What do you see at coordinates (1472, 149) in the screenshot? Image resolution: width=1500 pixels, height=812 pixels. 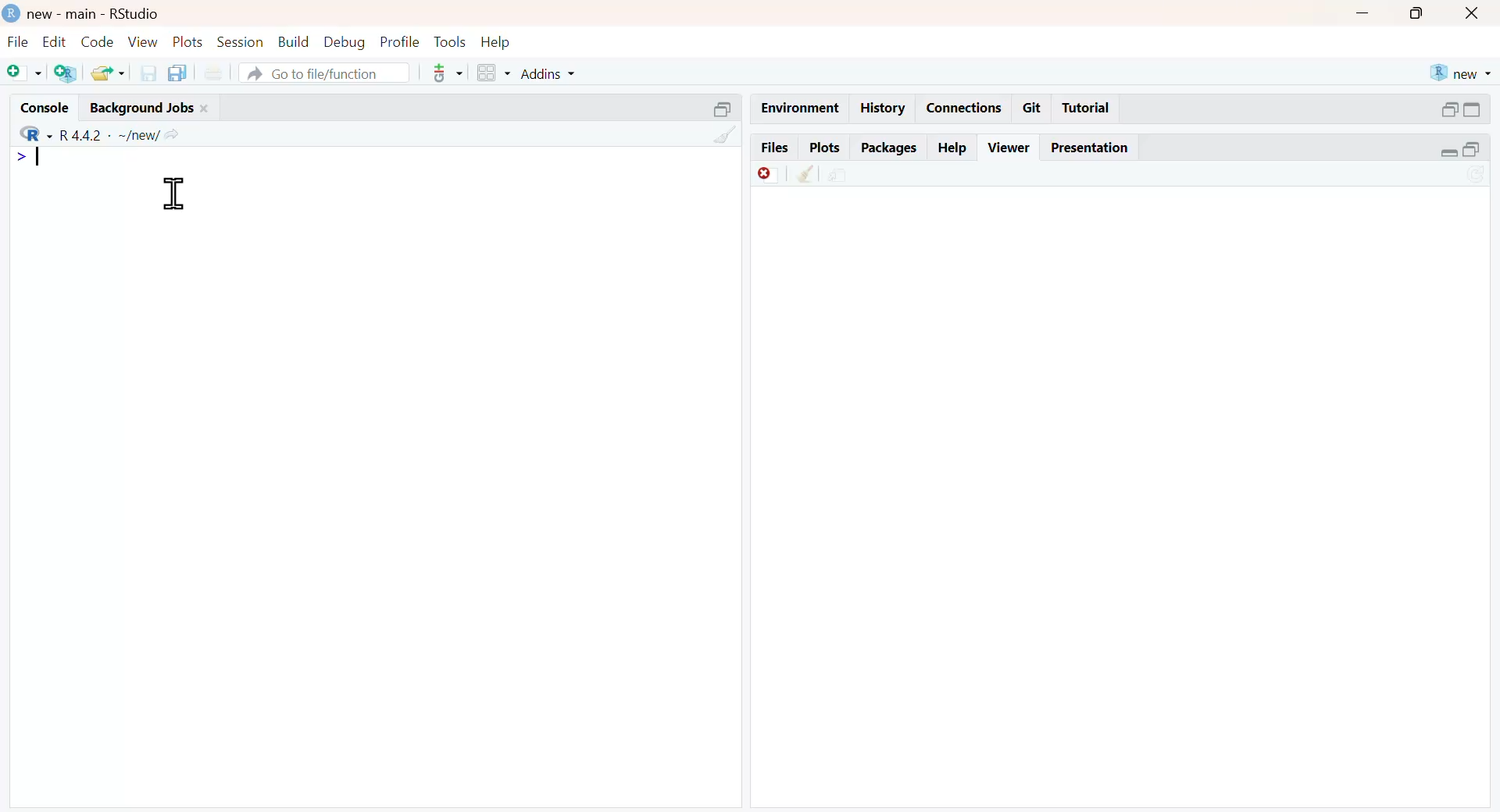 I see `open in separate window` at bounding box center [1472, 149].